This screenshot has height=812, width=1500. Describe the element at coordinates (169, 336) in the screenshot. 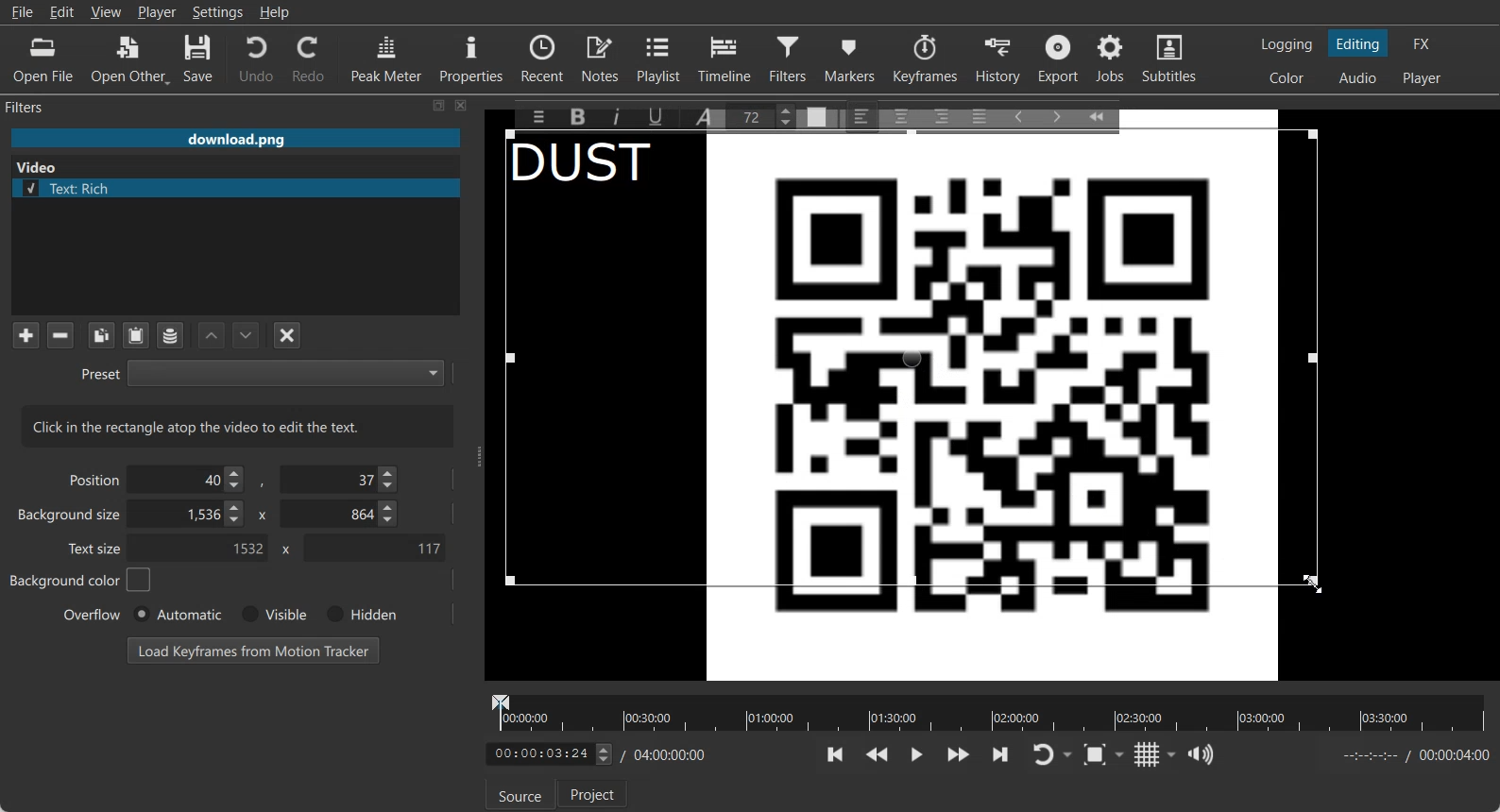

I see `Save a filter set` at that location.